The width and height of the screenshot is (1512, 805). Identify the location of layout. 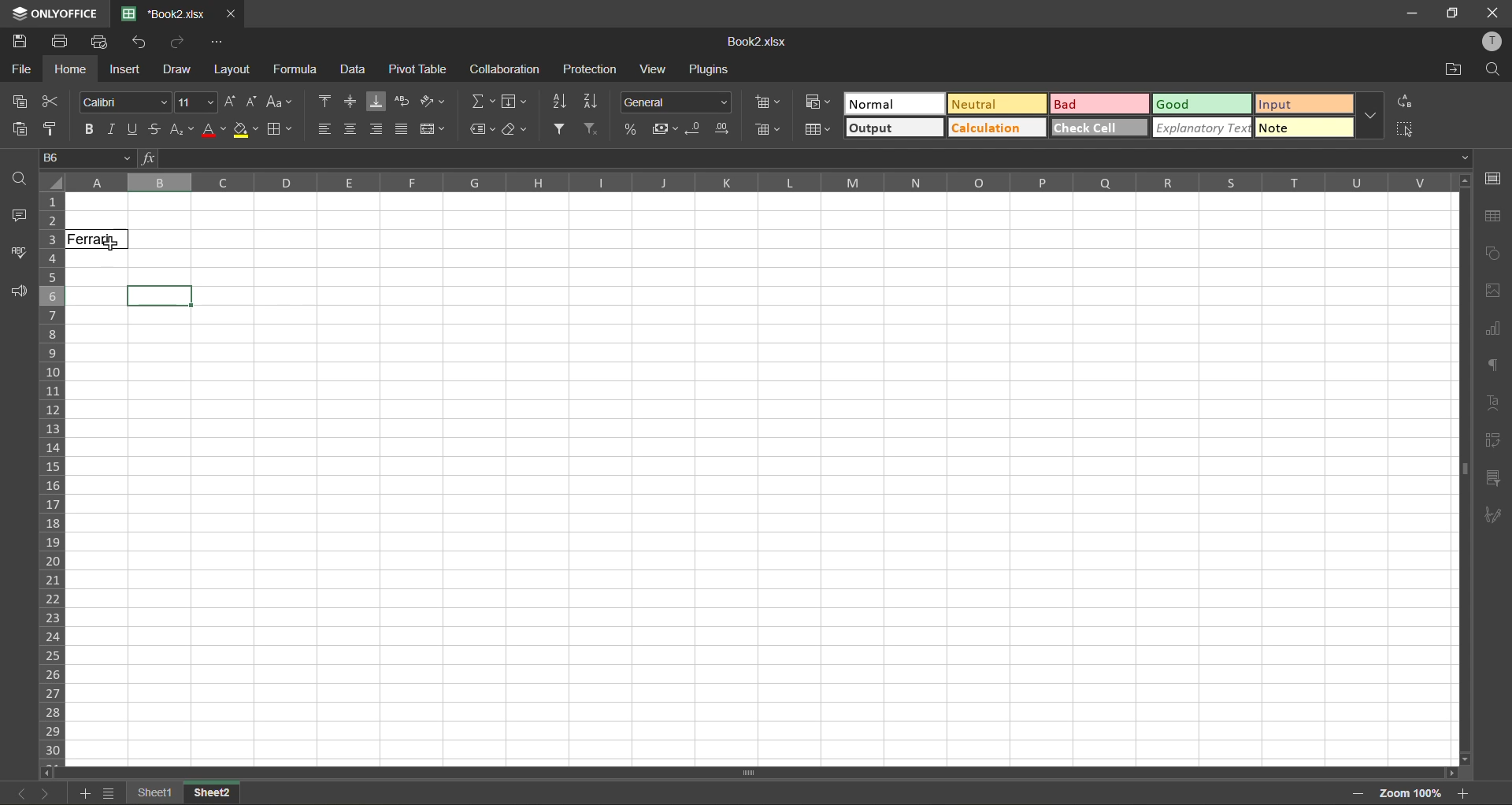
(231, 69).